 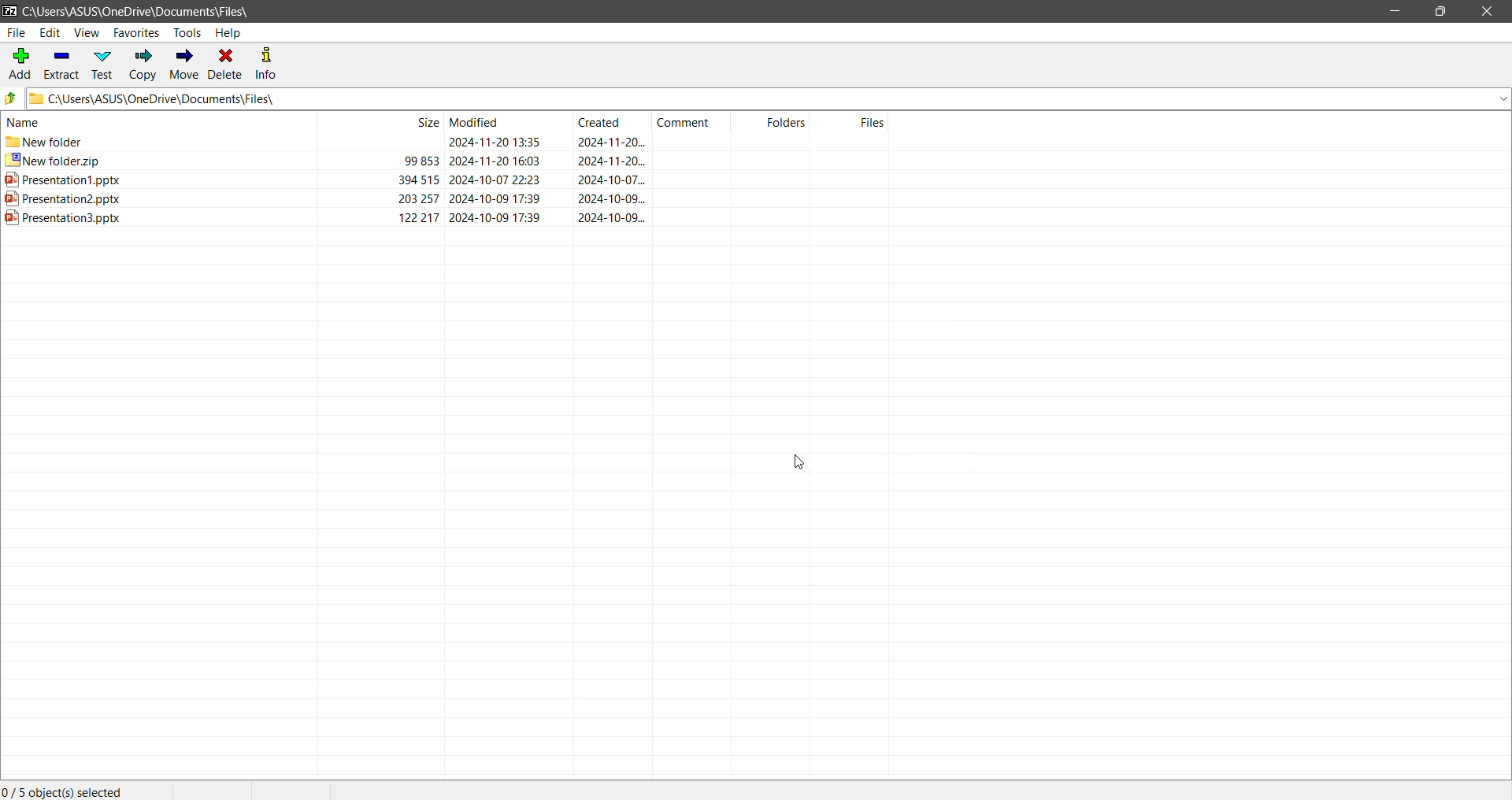 What do you see at coordinates (50, 33) in the screenshot?
I see `Edit` at bounding box center [50, 33].